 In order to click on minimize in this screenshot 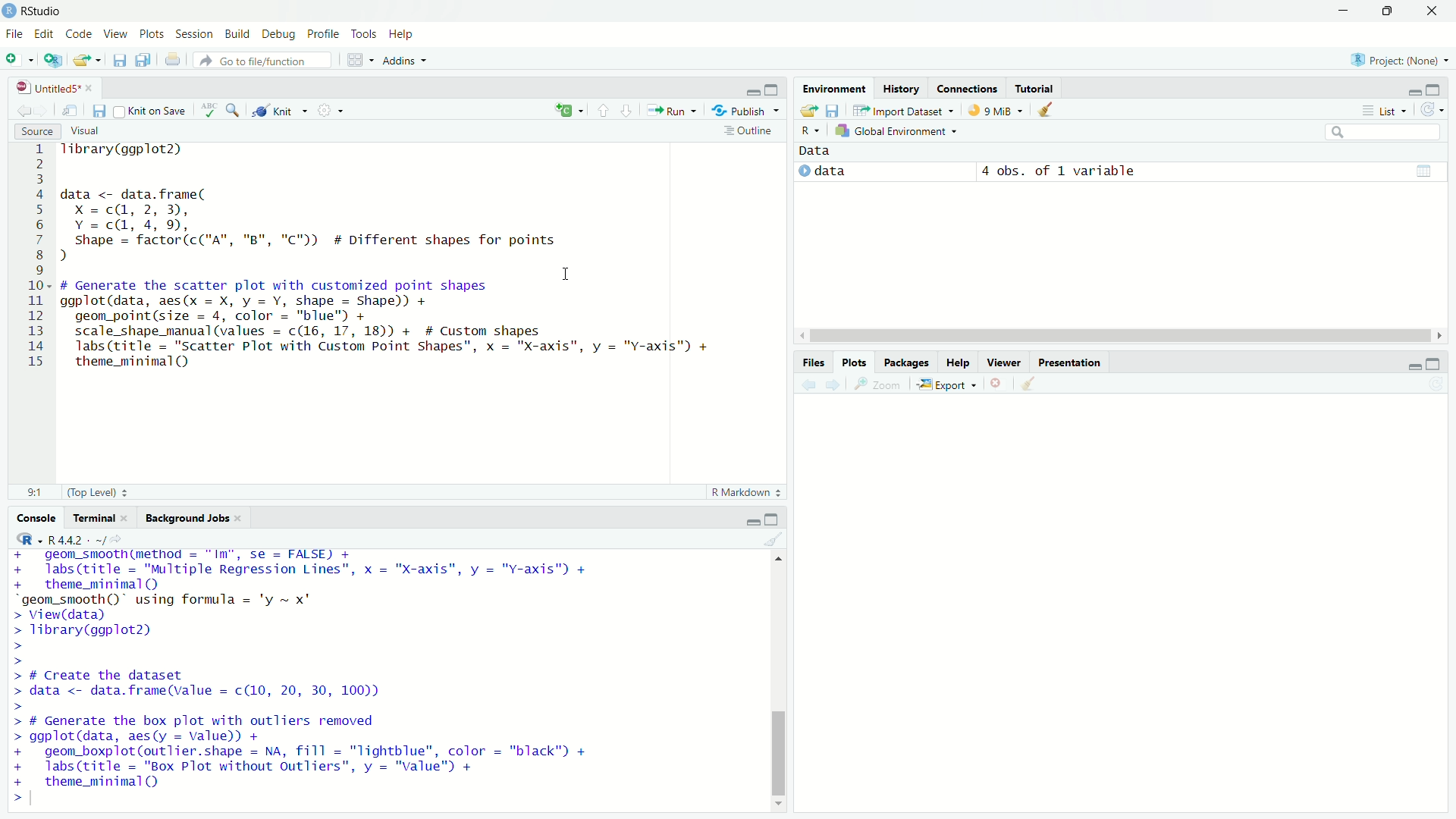, I will do `click(752, 521)`.